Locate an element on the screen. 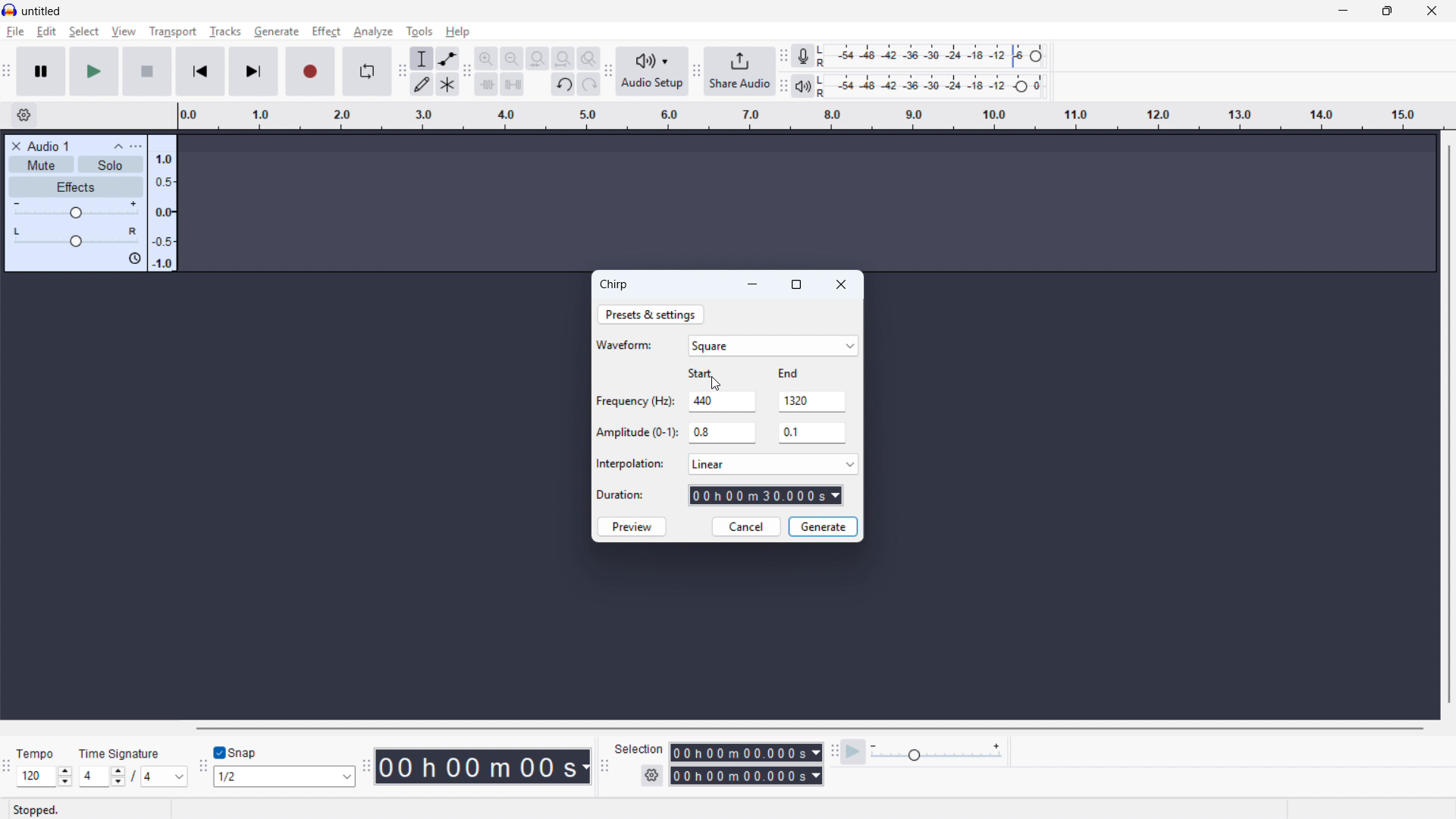 This screenshot has width=1456, height=819. Timeline settings  is located at coordinates (24, 115).